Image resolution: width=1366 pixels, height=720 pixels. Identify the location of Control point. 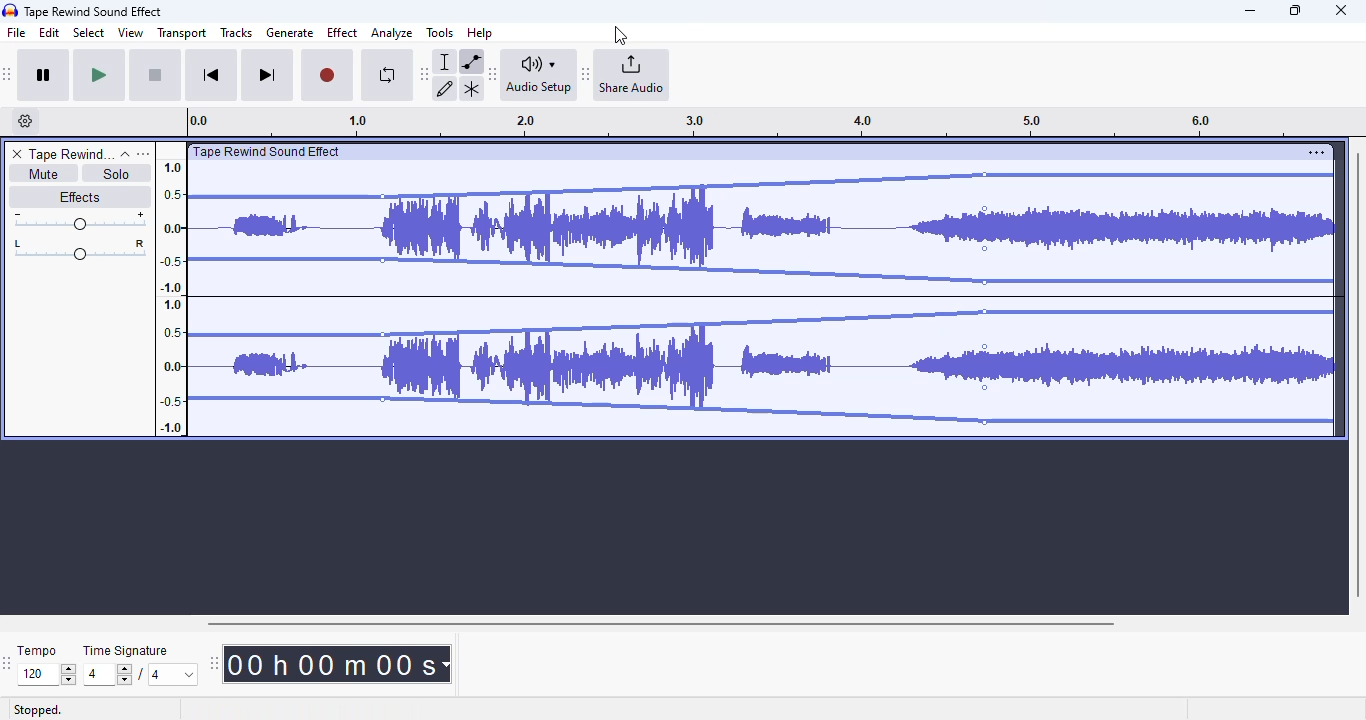
(383, 197).